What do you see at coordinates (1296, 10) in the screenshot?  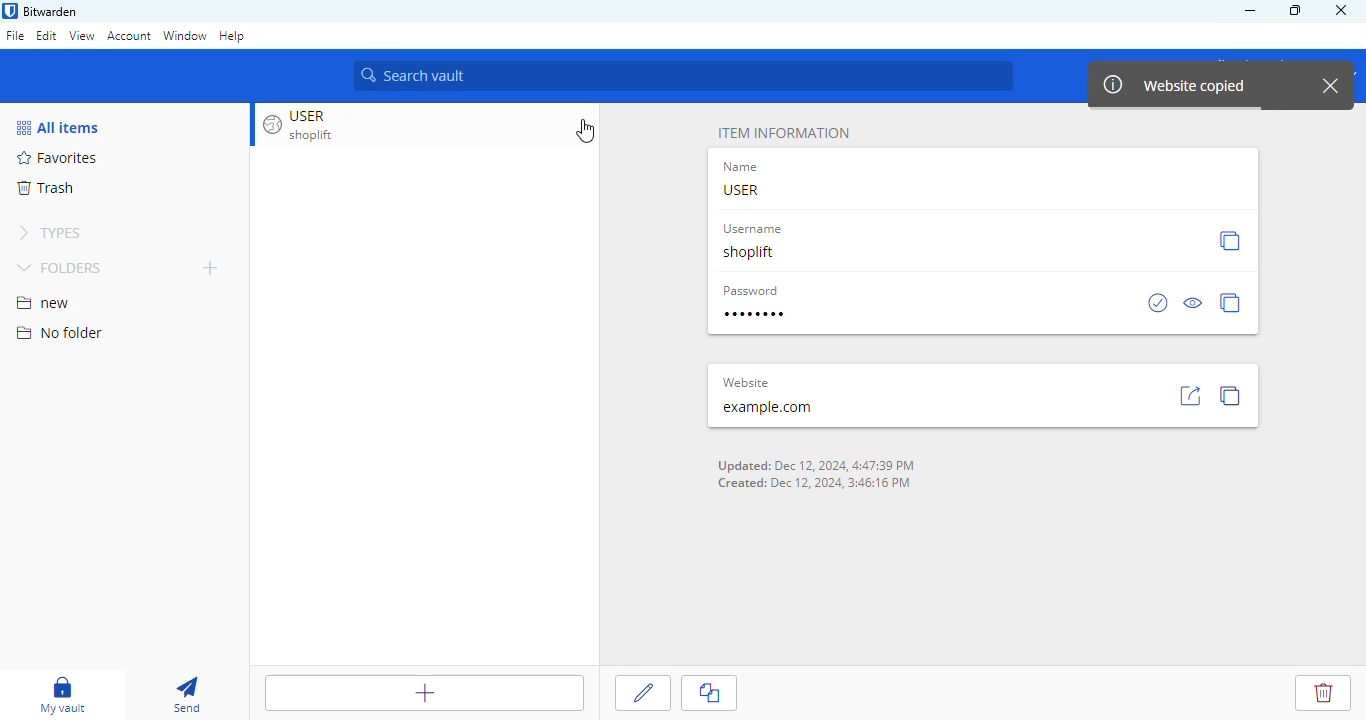 I see `maximize` at bounding box center [1296, 10].